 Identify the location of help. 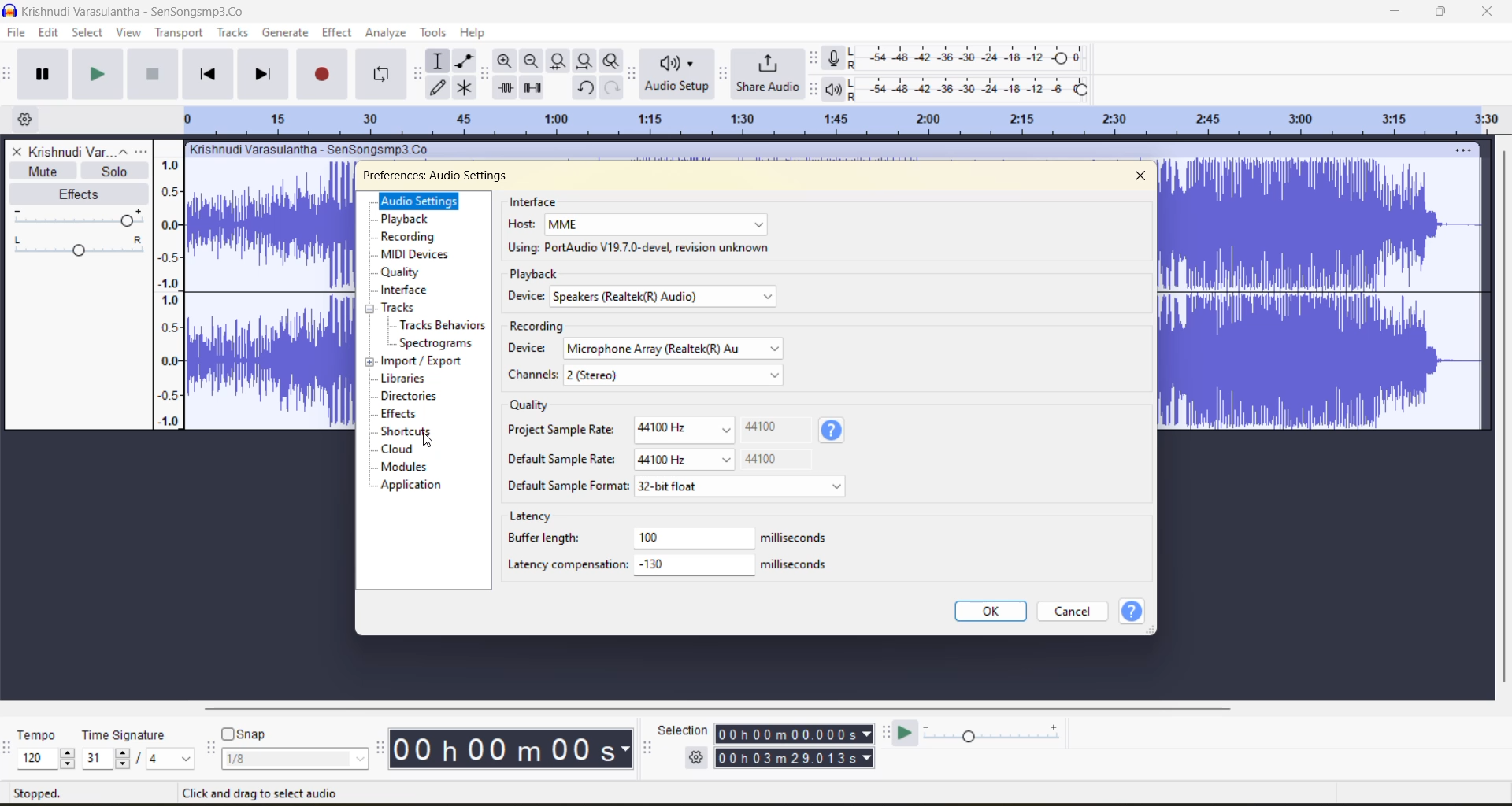
(832, 430).